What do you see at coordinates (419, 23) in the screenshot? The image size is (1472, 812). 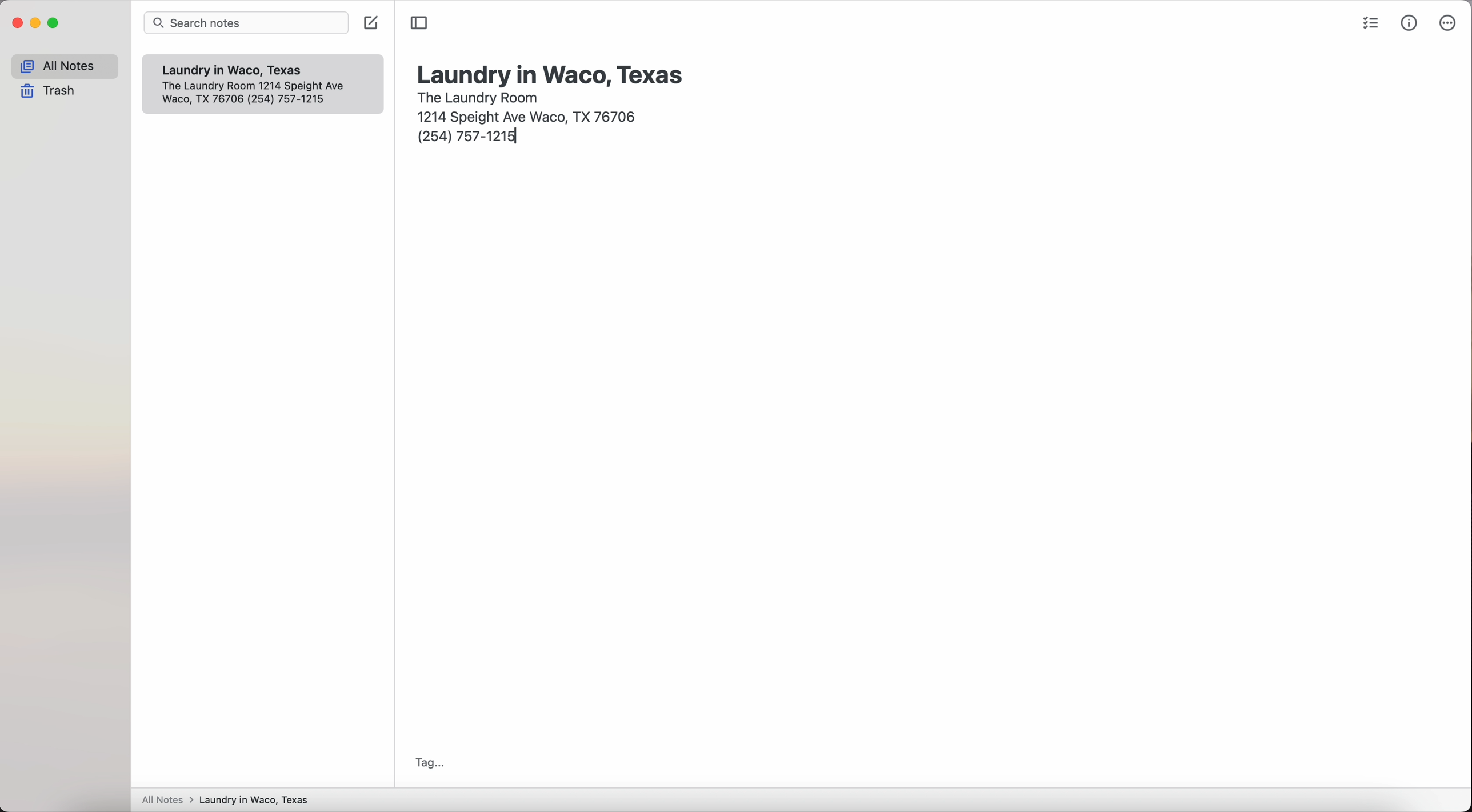 I see `toggle sidebar` at bounding box center [419, 23].